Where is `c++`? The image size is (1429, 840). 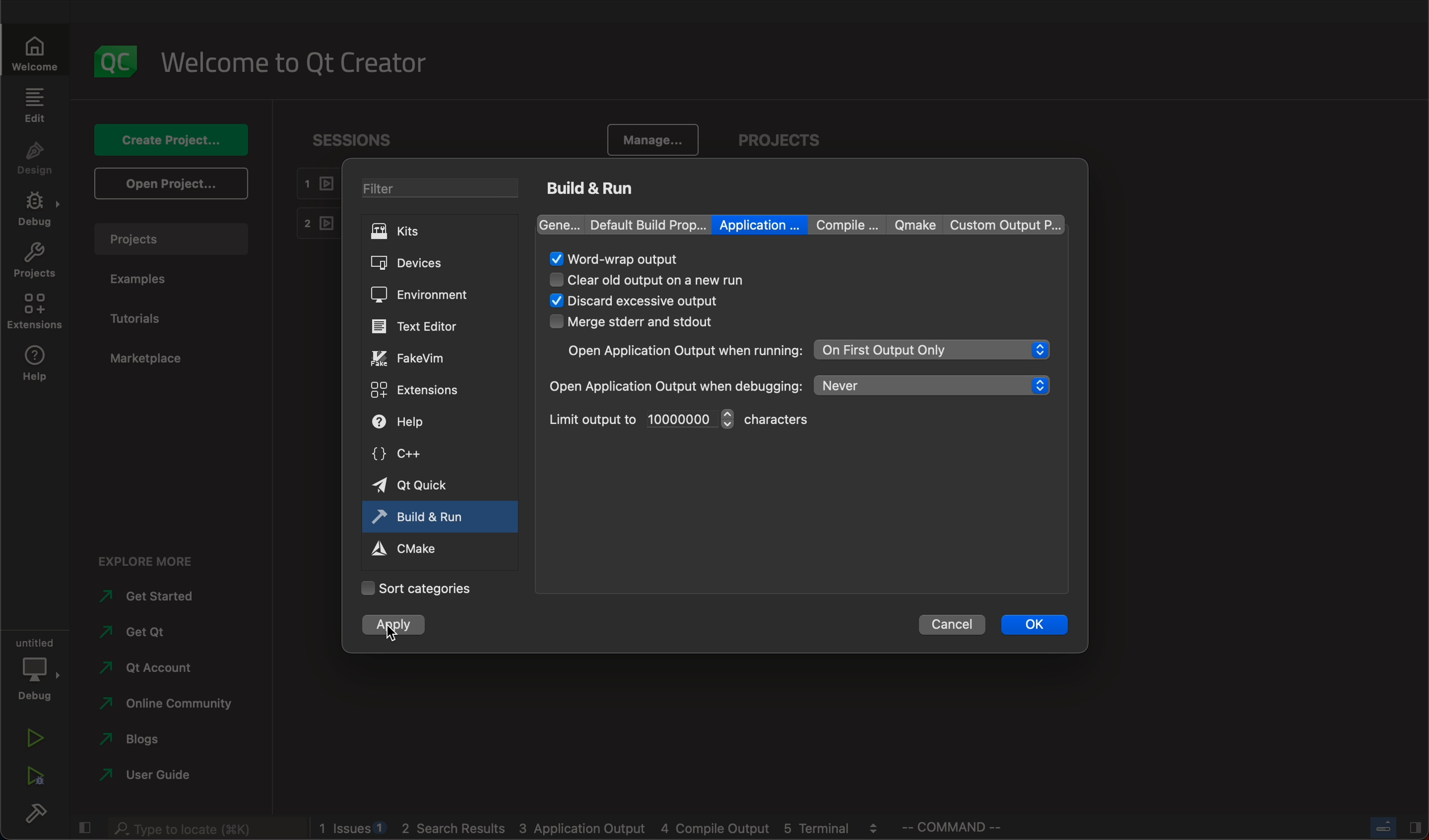
c++ is located at coordinates (424, 453).